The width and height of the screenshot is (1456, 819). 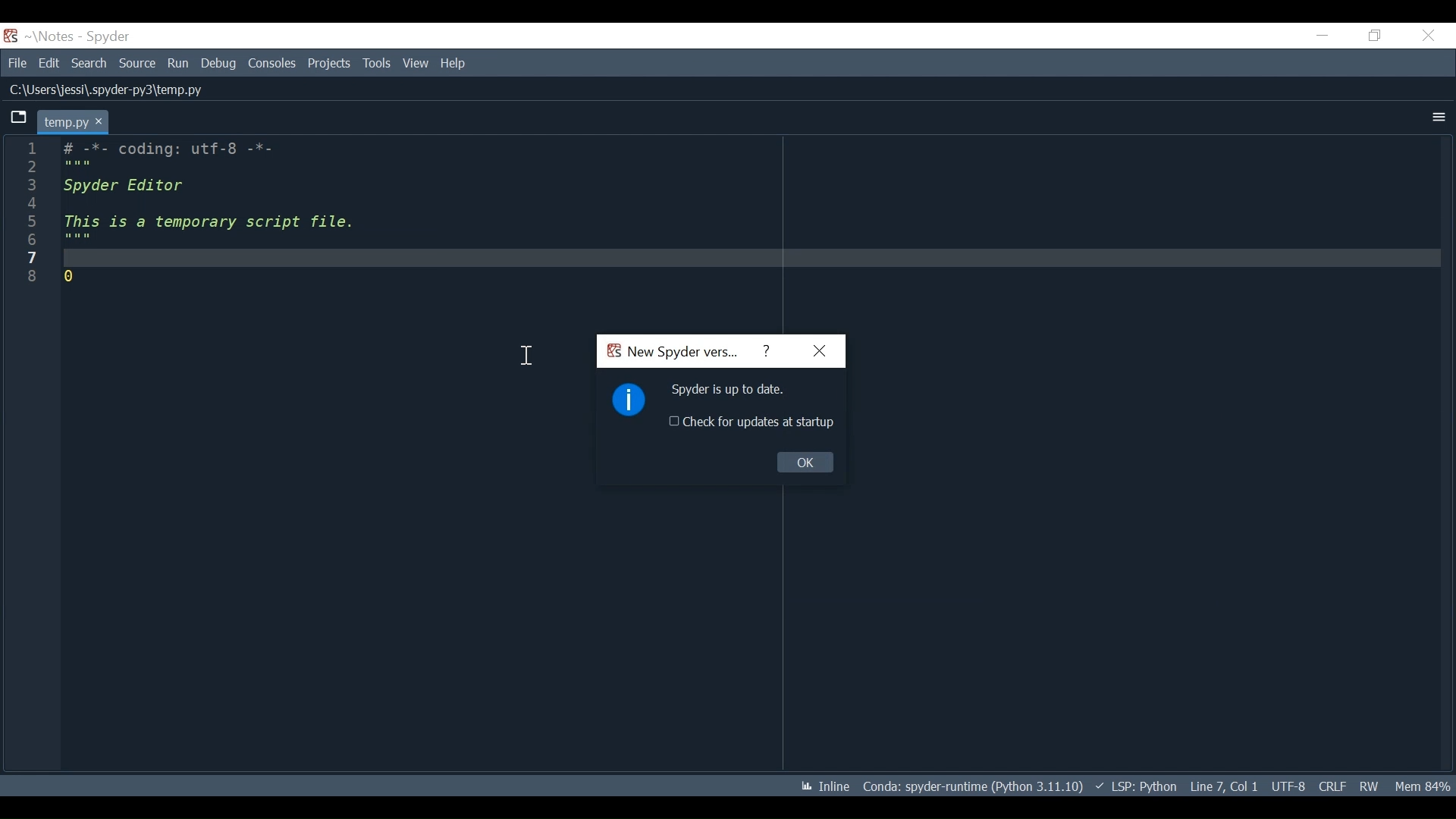 What do you see at coordinates (1374, 35) in the screenshot?
I see `Restore` at bounding box center [1374, 35].